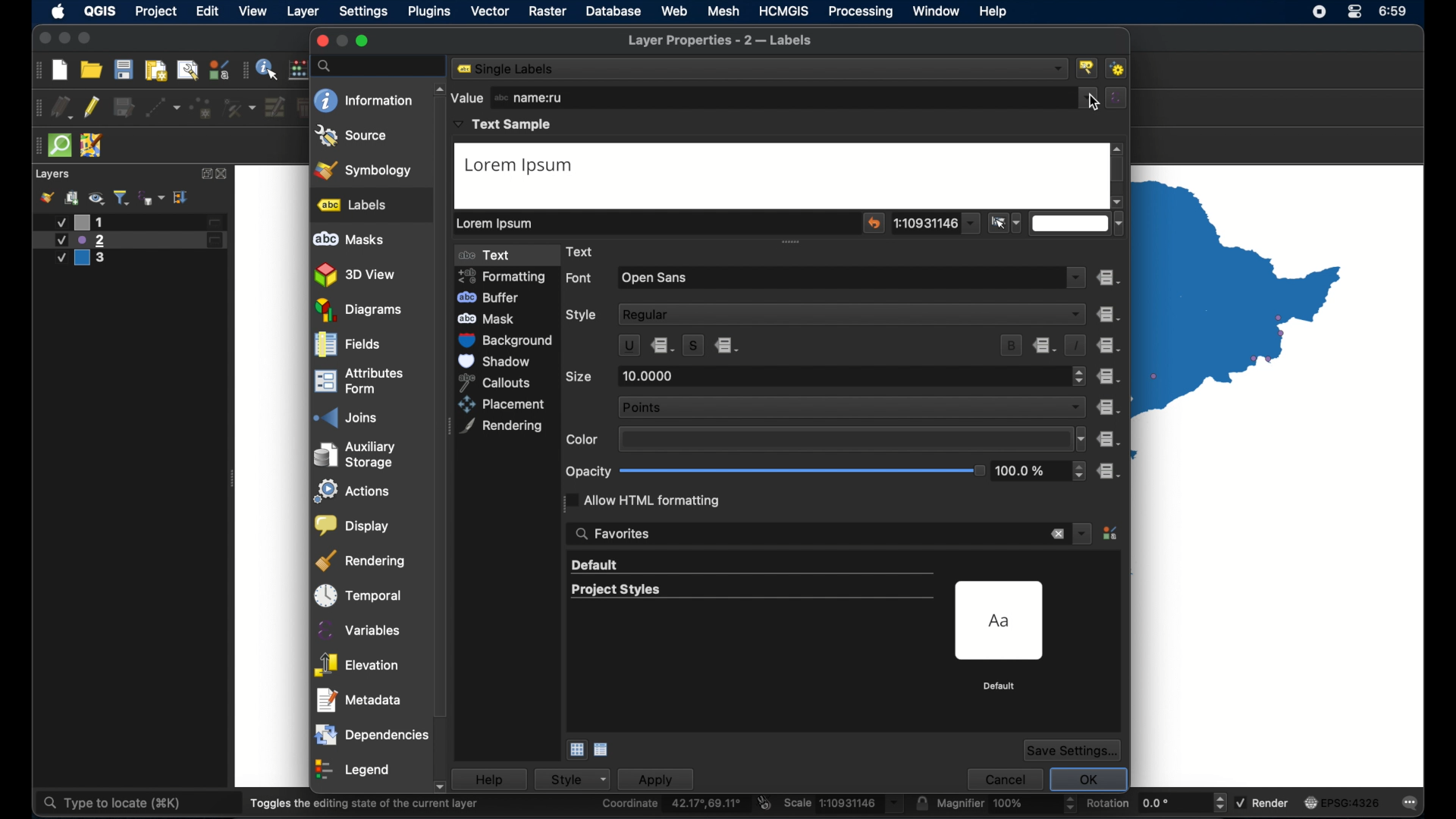 This screenshot has width=1456, height=819. Describe the element at coordinates (793, 243) in the screenshot. I see `drag handle` at that location.